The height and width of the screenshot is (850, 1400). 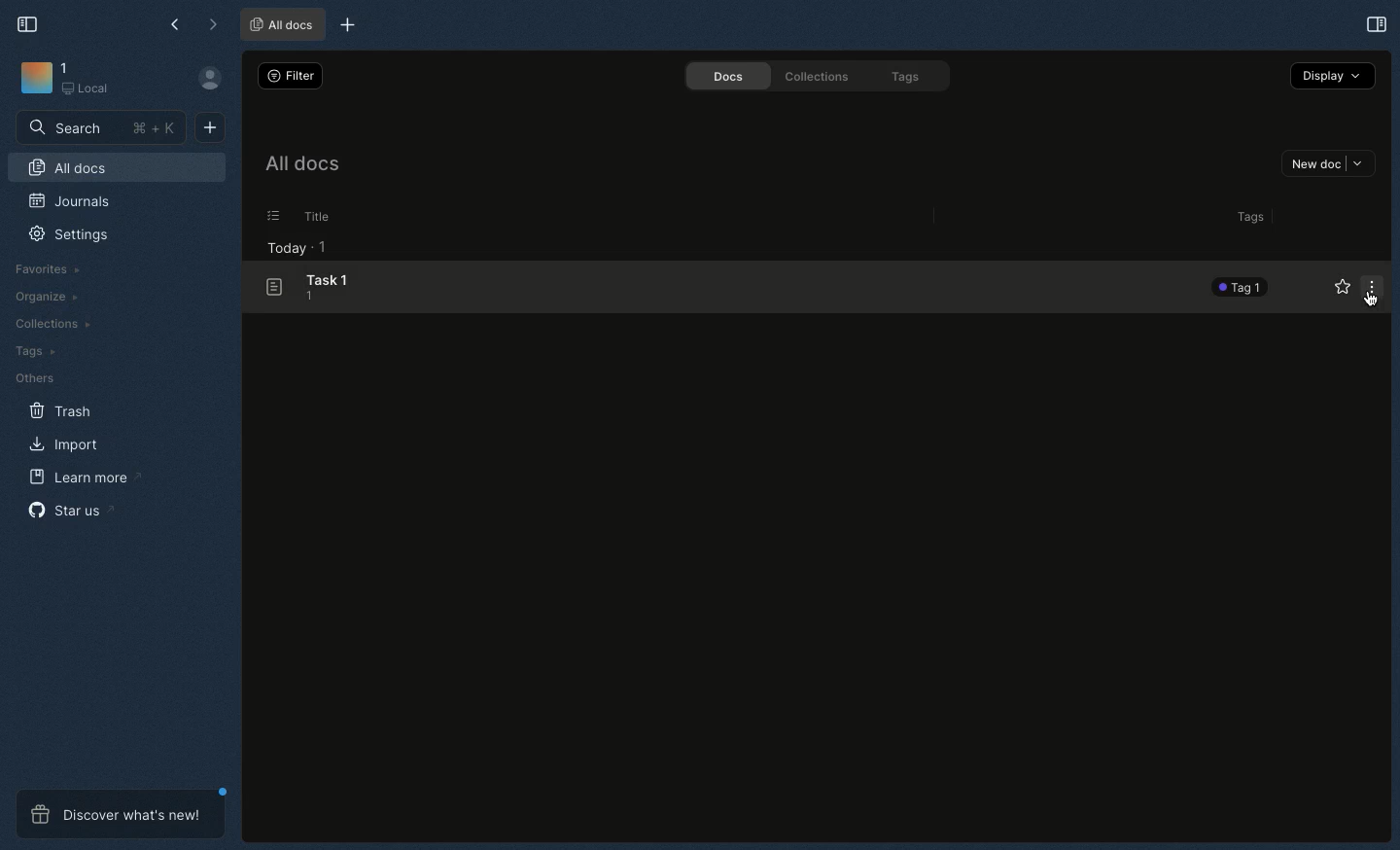 I want to click on Trash, so click(x=54, y=409).